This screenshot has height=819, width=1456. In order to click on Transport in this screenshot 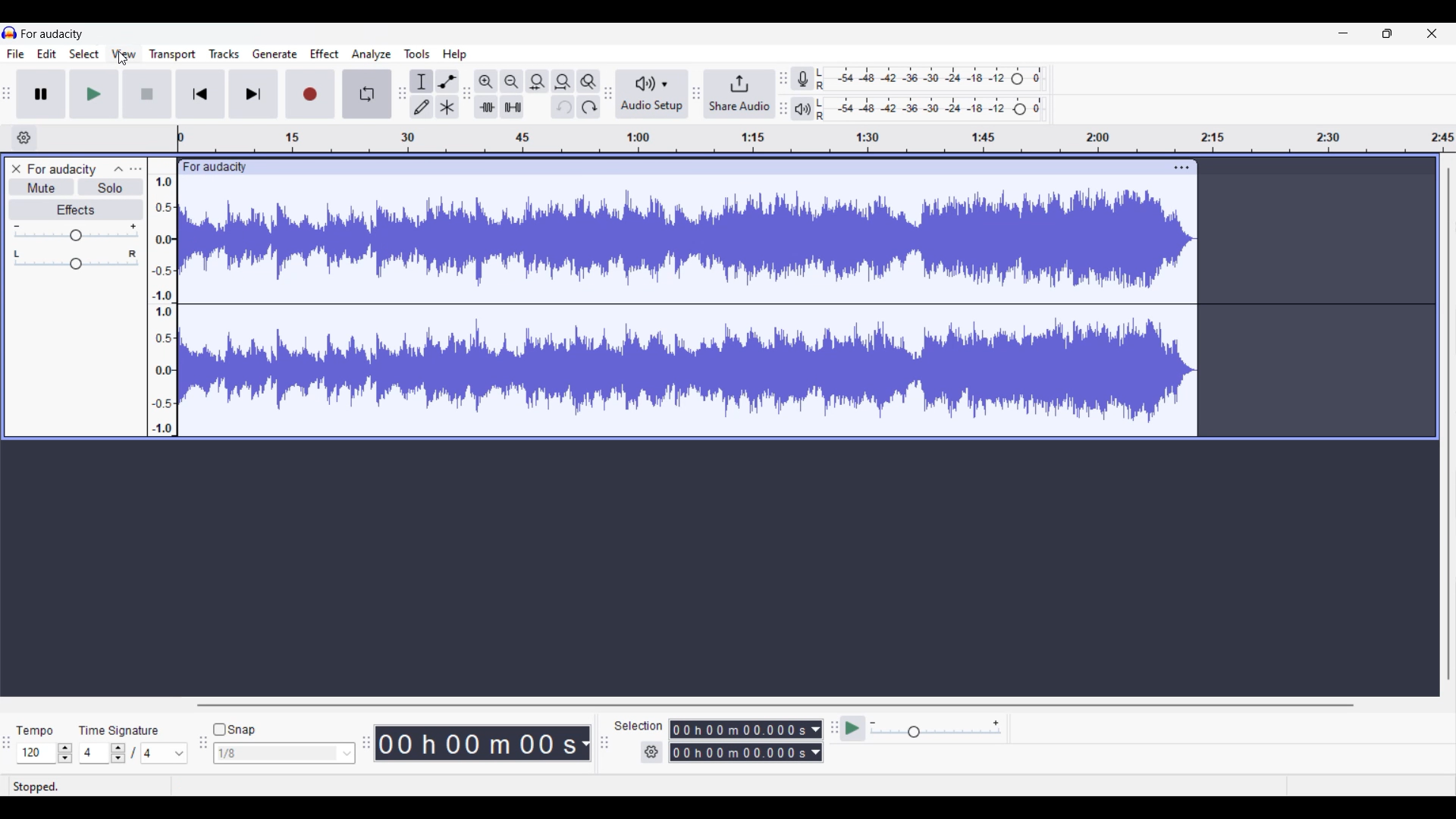, I will do `click(173, 55)`.